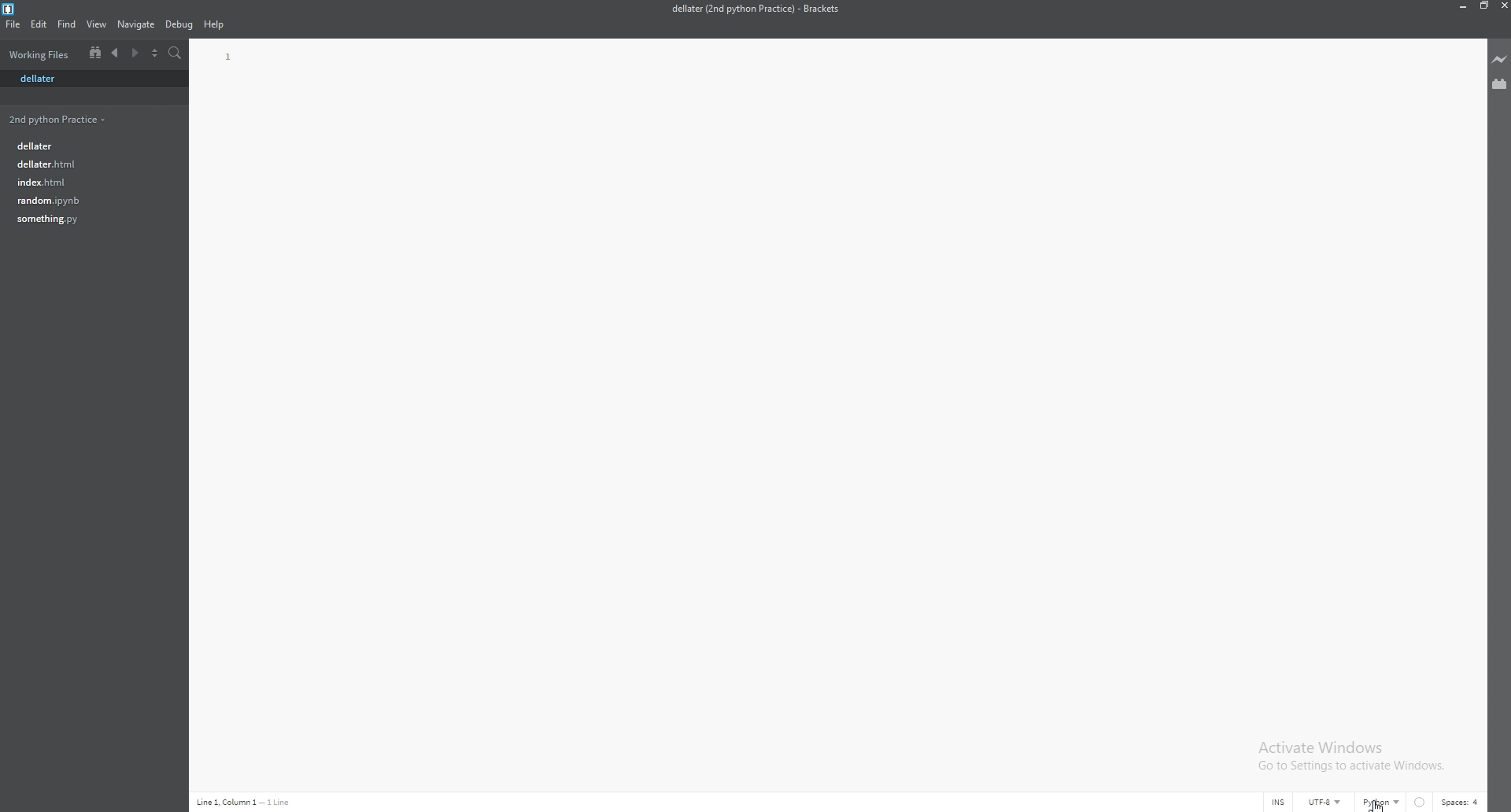  I want to click on file, so click(91, 79).